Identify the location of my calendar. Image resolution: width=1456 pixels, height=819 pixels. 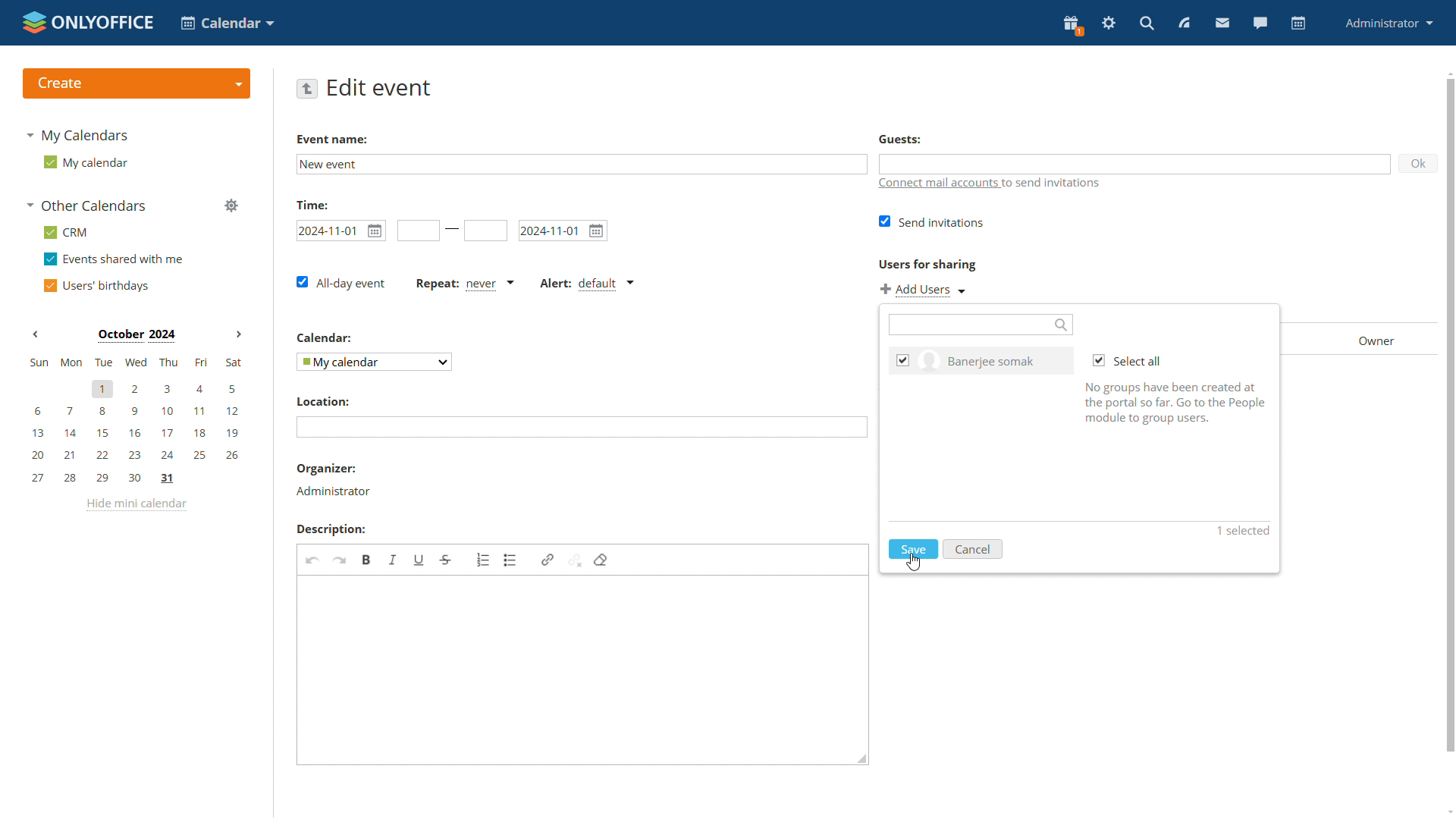
(86, 163).